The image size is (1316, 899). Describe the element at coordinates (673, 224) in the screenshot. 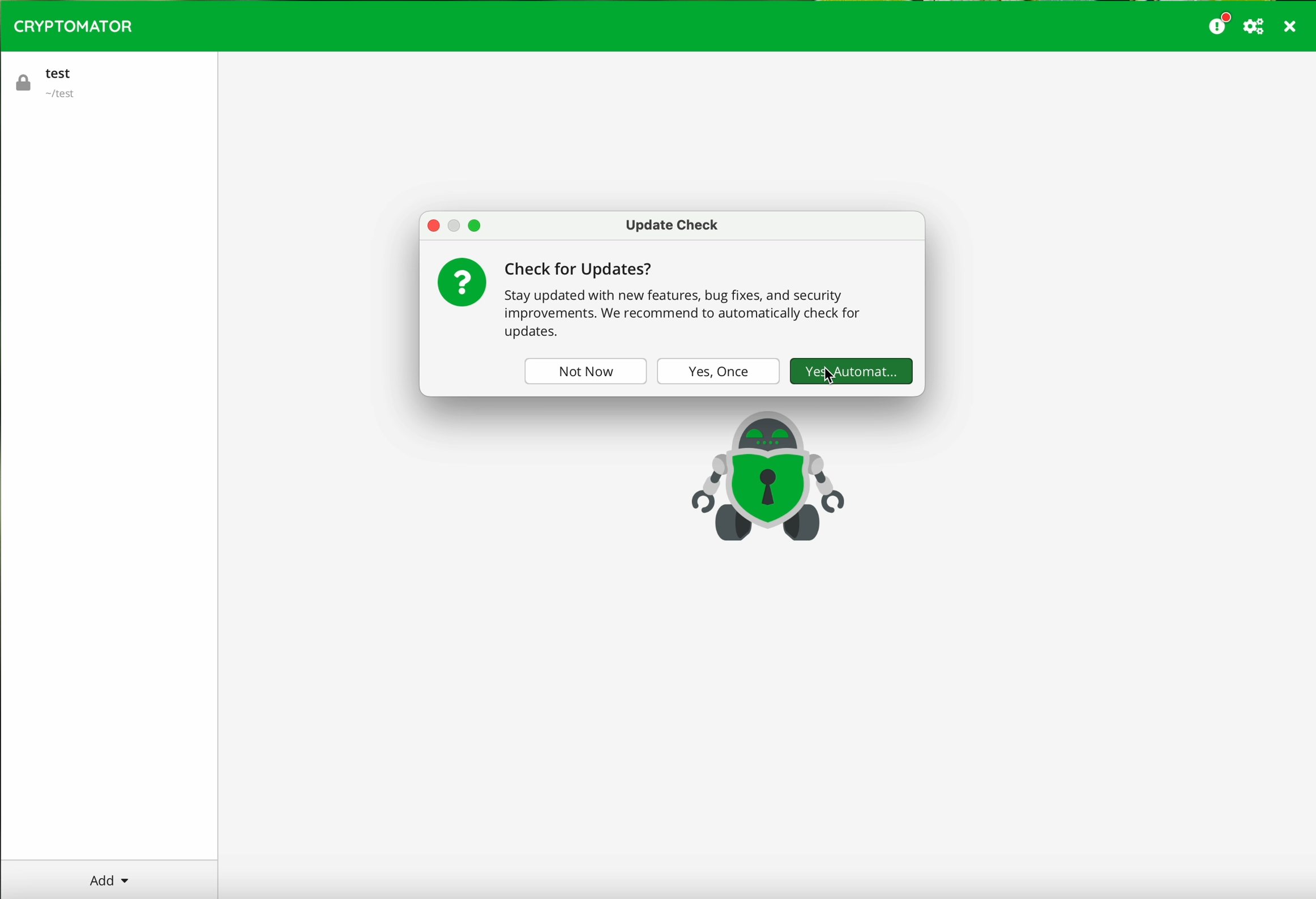

I see `update check ` at that location.